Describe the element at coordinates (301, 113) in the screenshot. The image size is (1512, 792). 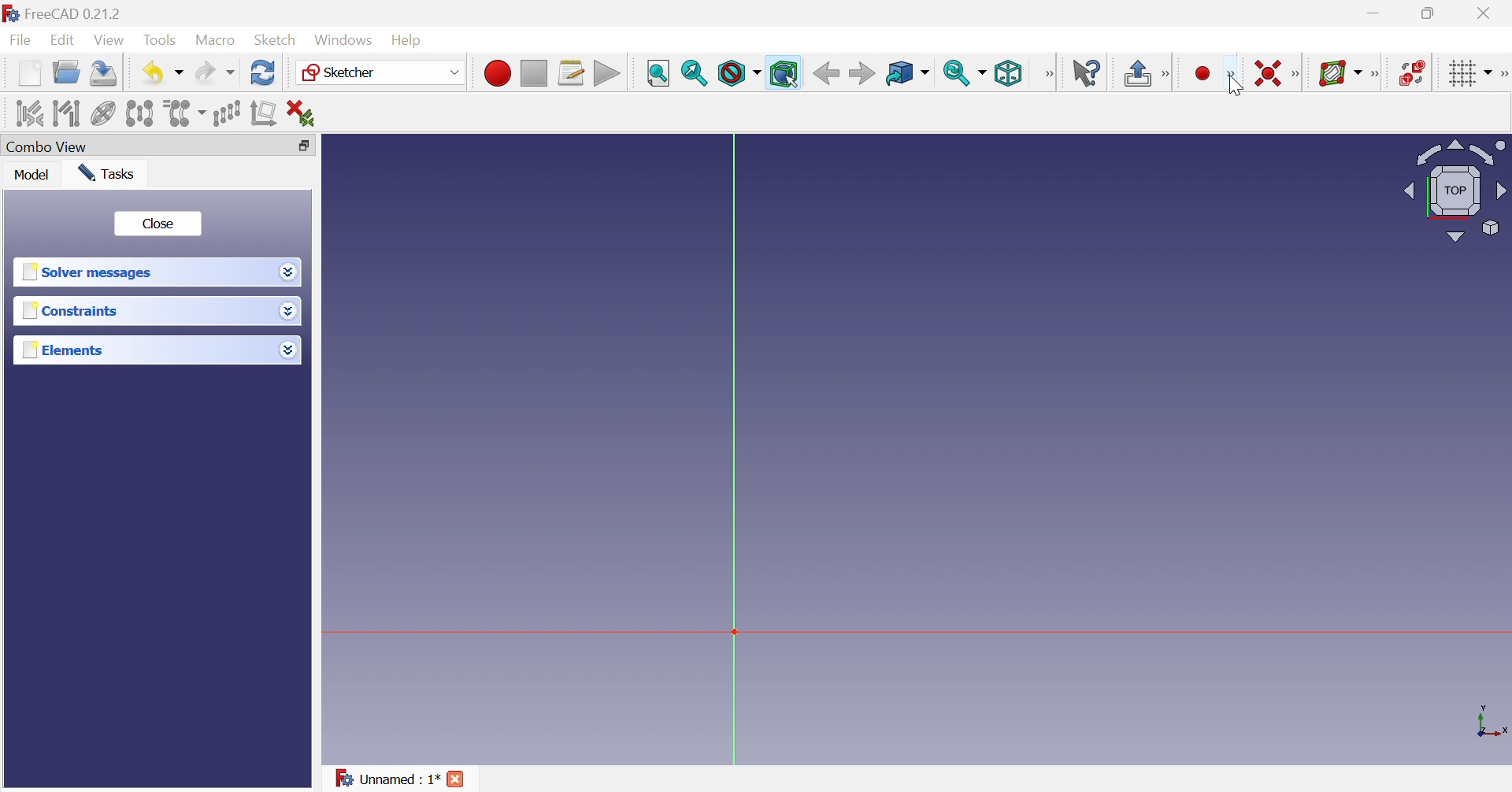
I see `Delete all constraints` at that location.